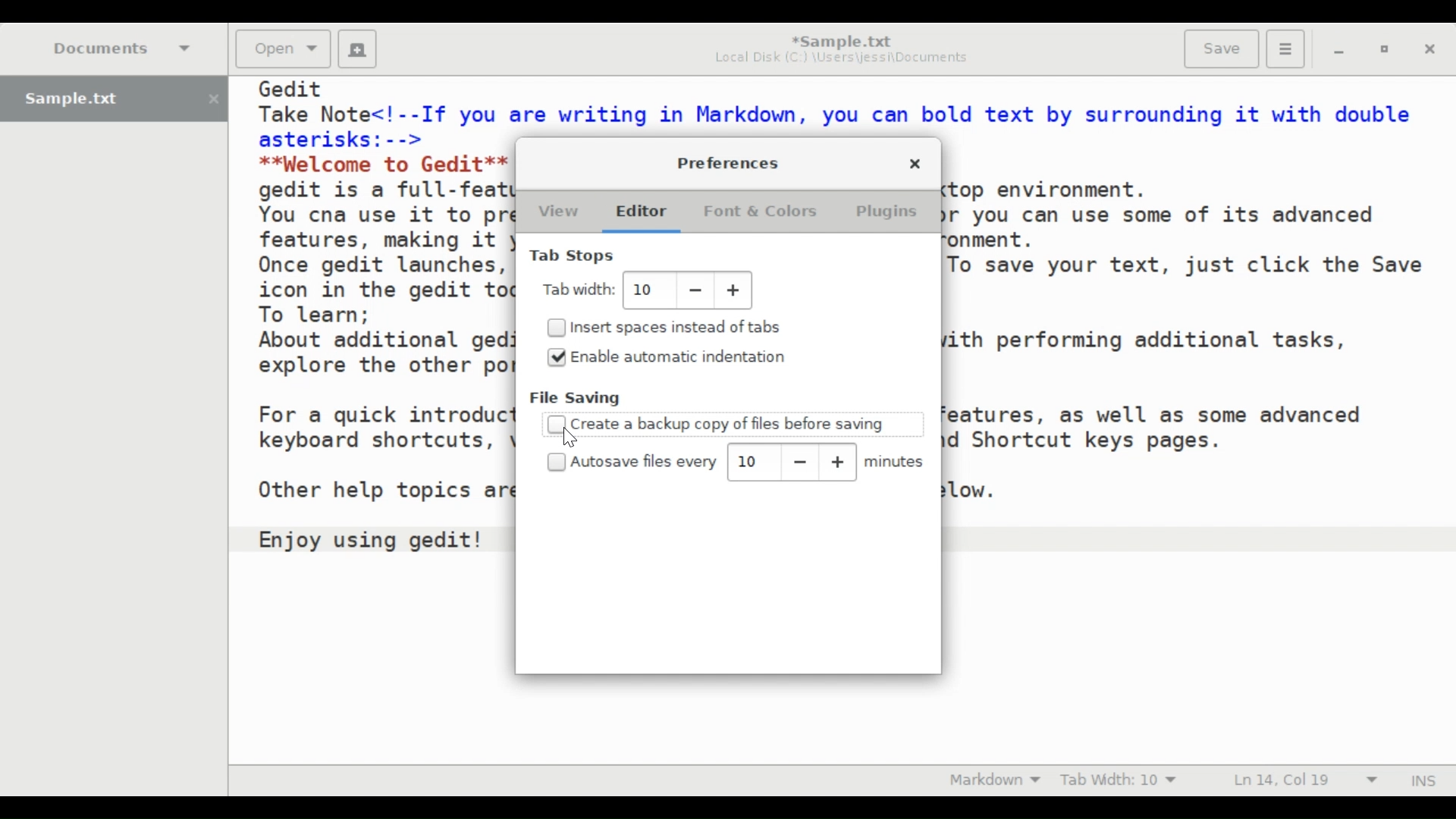 This screenshot has height=819, width=1456. Describe the element at coordinates (680, 356) in the screenshot. I see `(un)select Enable automatic indentation` at that location.